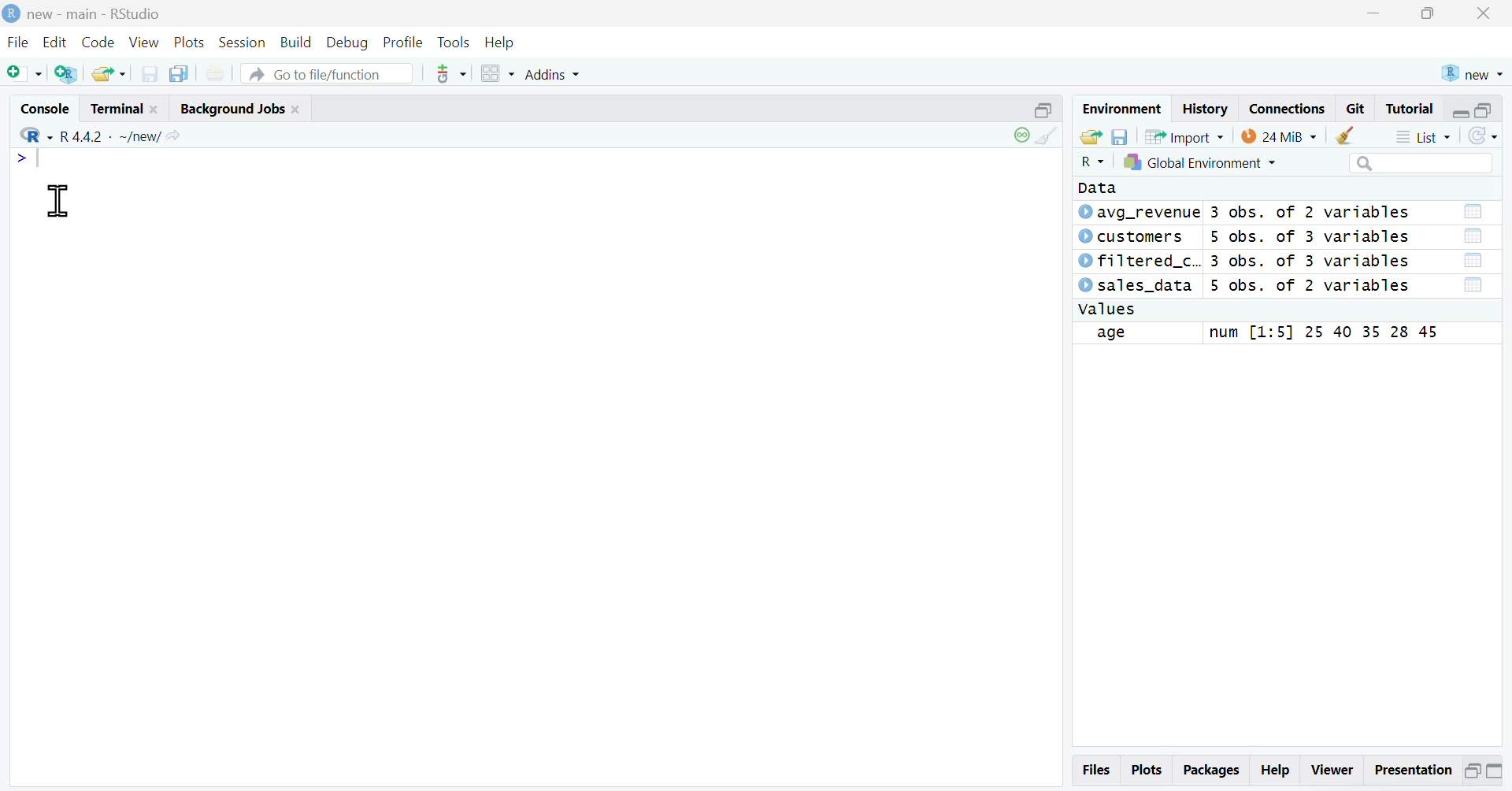  Describe the element at coordinates (1333, 773) in the screenshot. I see `Viewer` at that location.